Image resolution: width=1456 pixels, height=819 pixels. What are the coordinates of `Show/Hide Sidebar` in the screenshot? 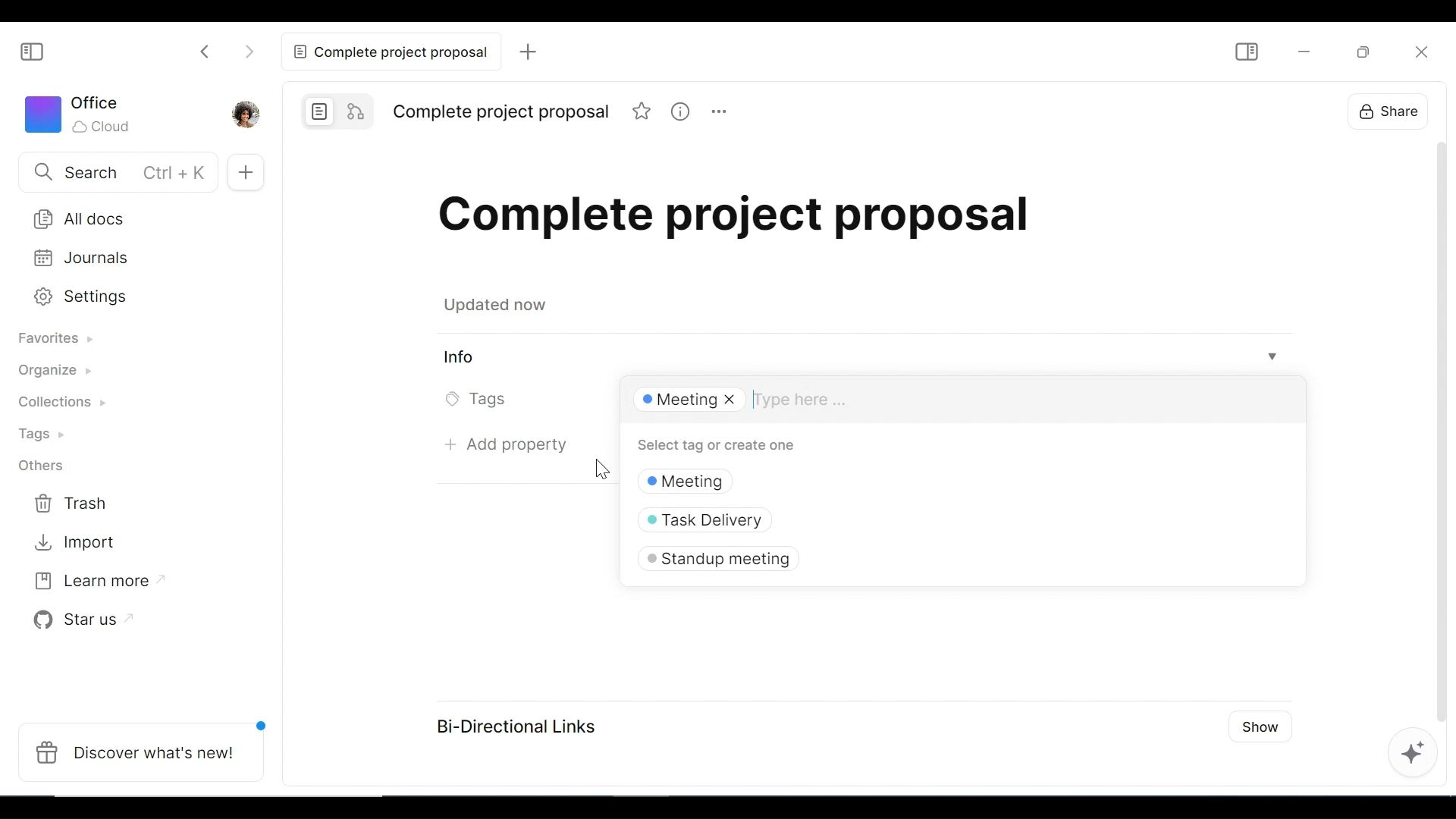 It's located at (1244, 53).